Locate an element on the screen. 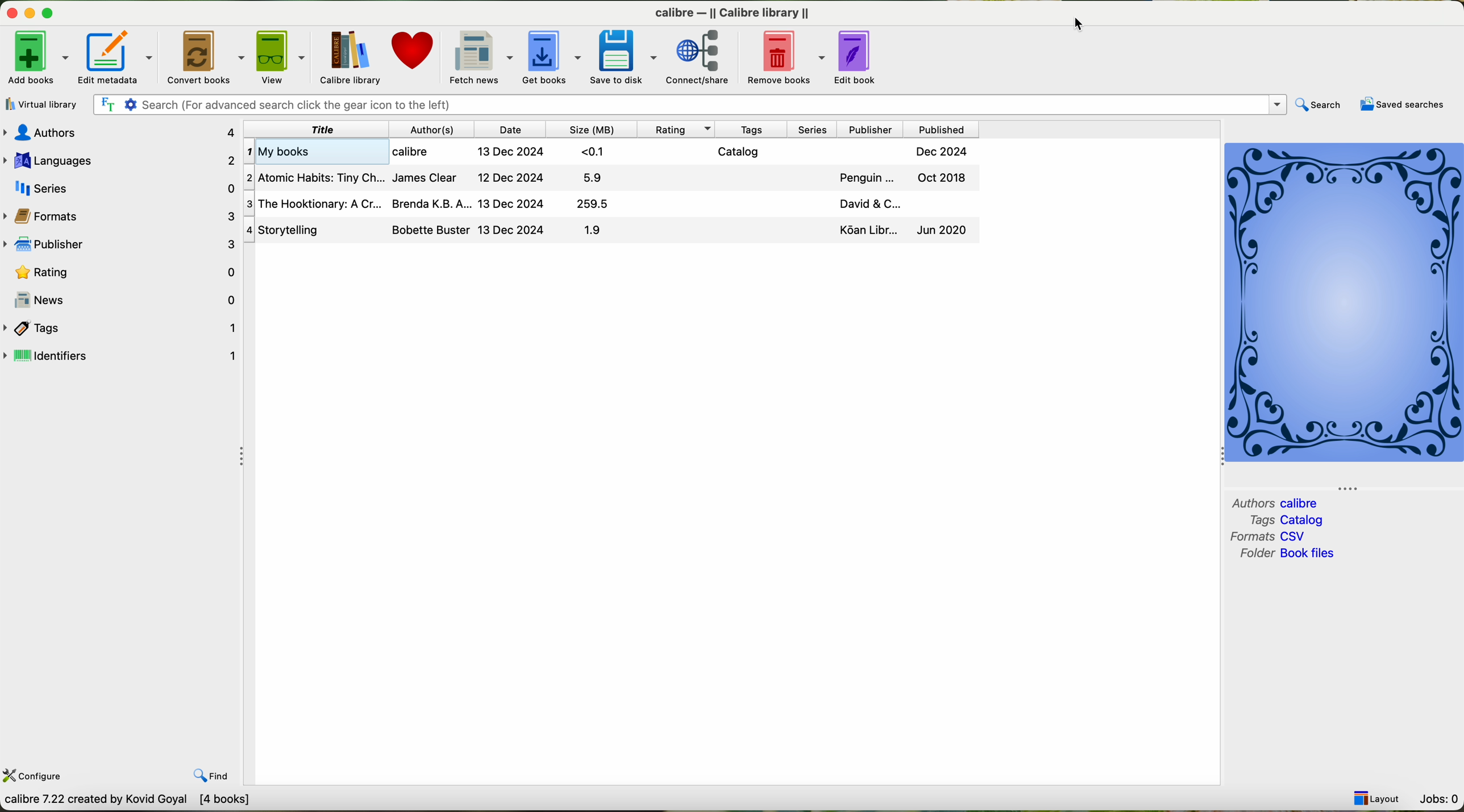  CSV is located at coordinates (1299, 536).